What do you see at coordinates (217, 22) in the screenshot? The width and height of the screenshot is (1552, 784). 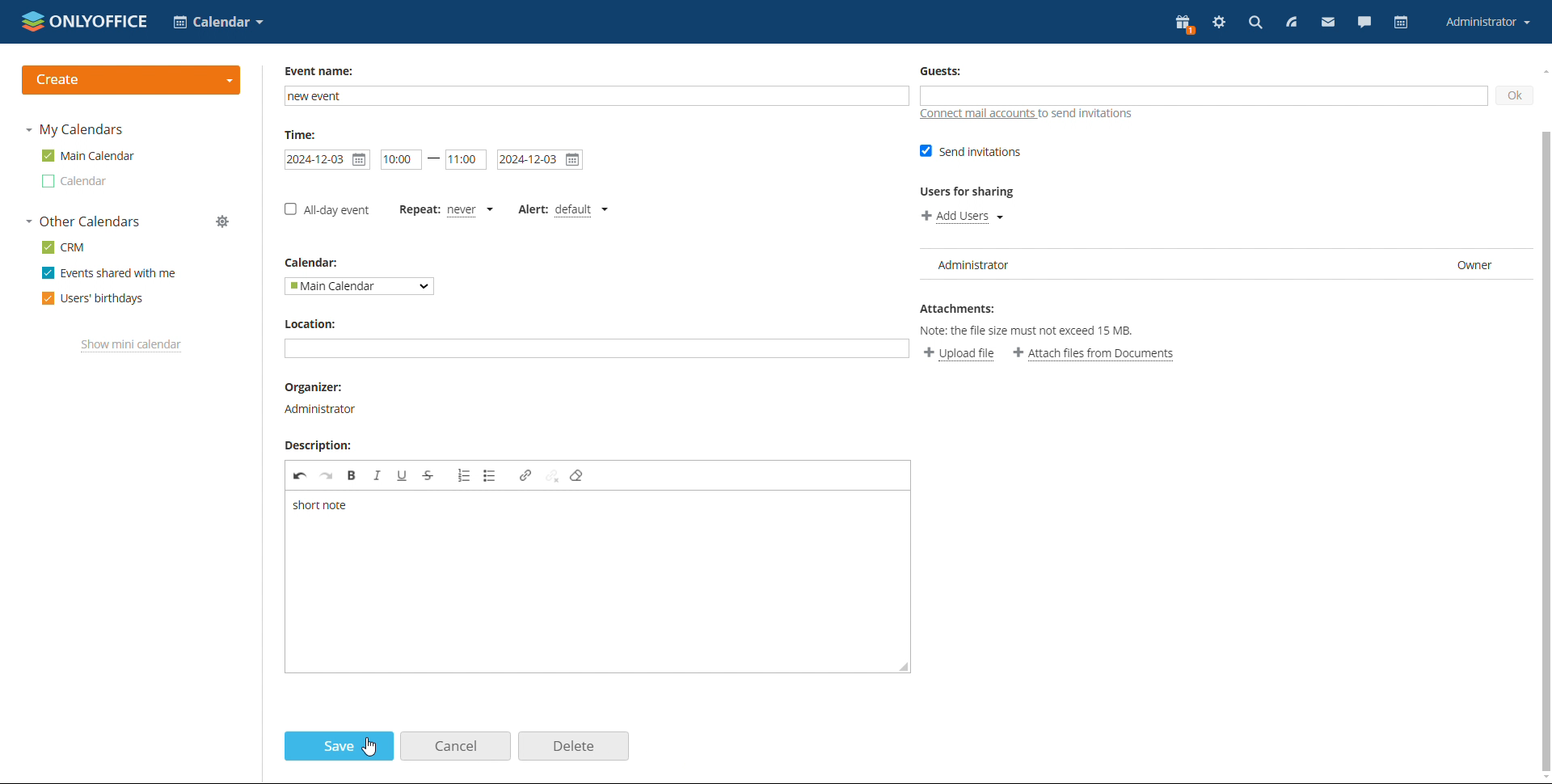 I see `select application` at bounding box center [217, 22].